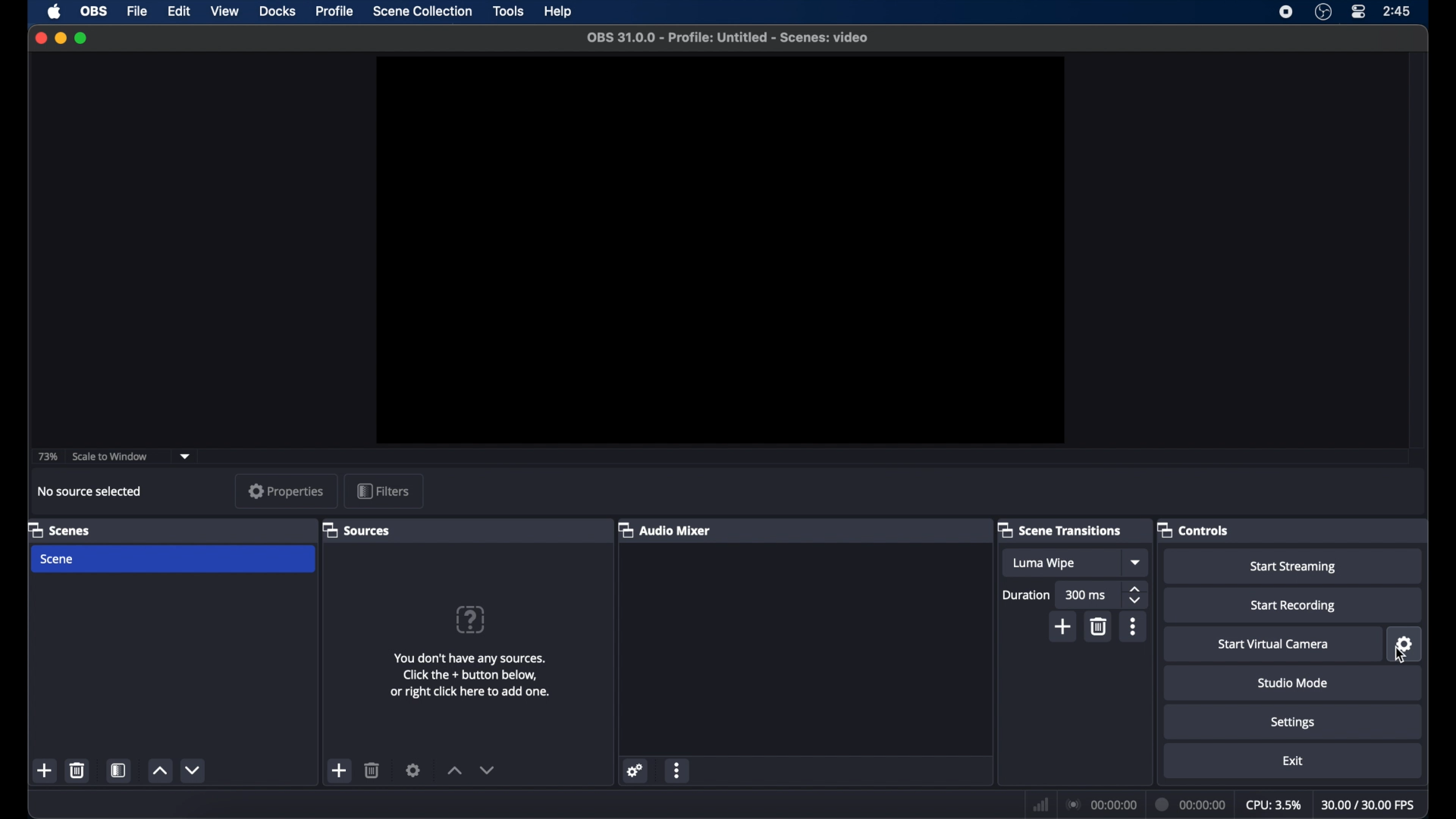 This screenshot has height=819, width=1456. Describe the element at coordinates (110, 456) in the screenshot. I see `scale to window` at that location.